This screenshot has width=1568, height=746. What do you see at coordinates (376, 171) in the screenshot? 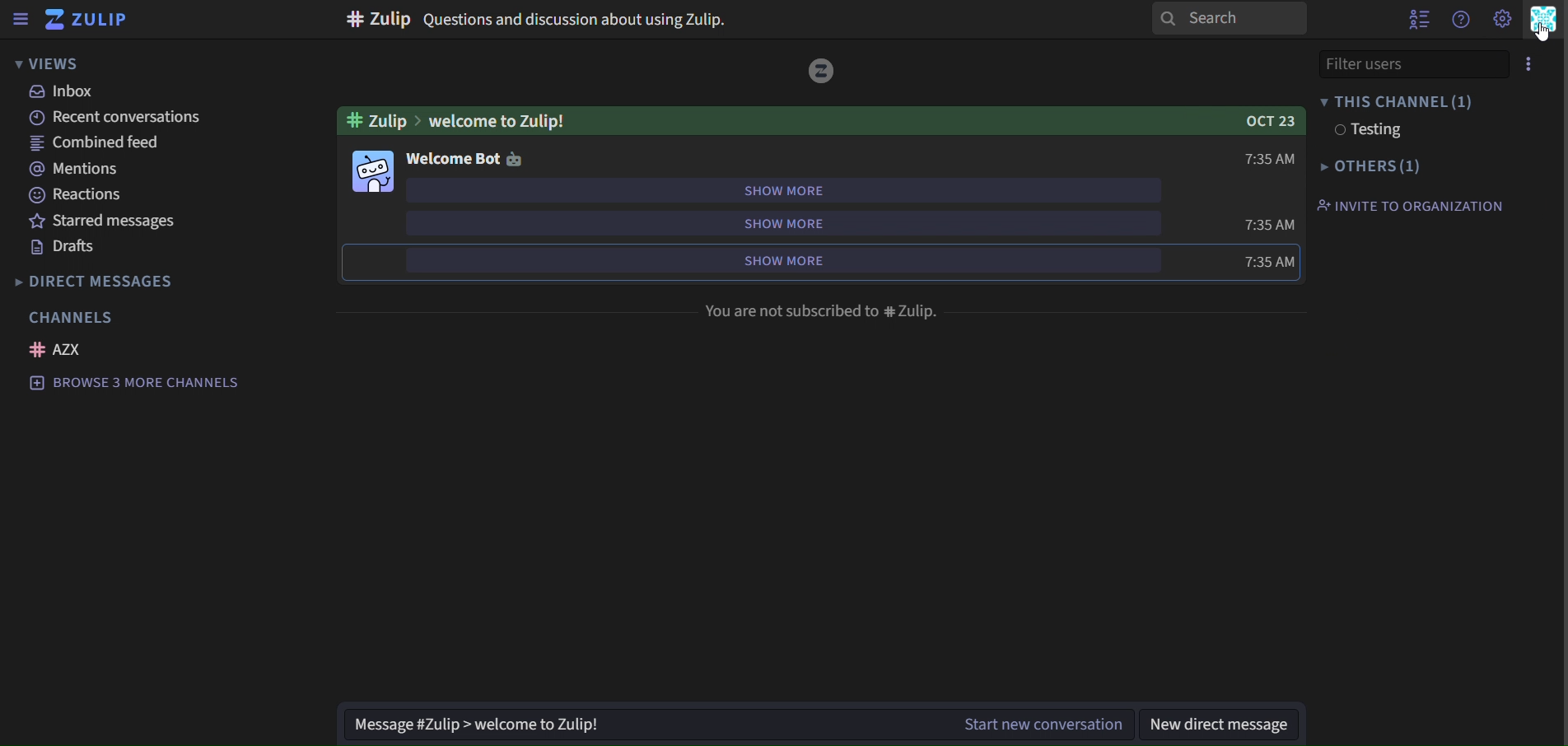
I see `image` at bounding box center [376, 171].